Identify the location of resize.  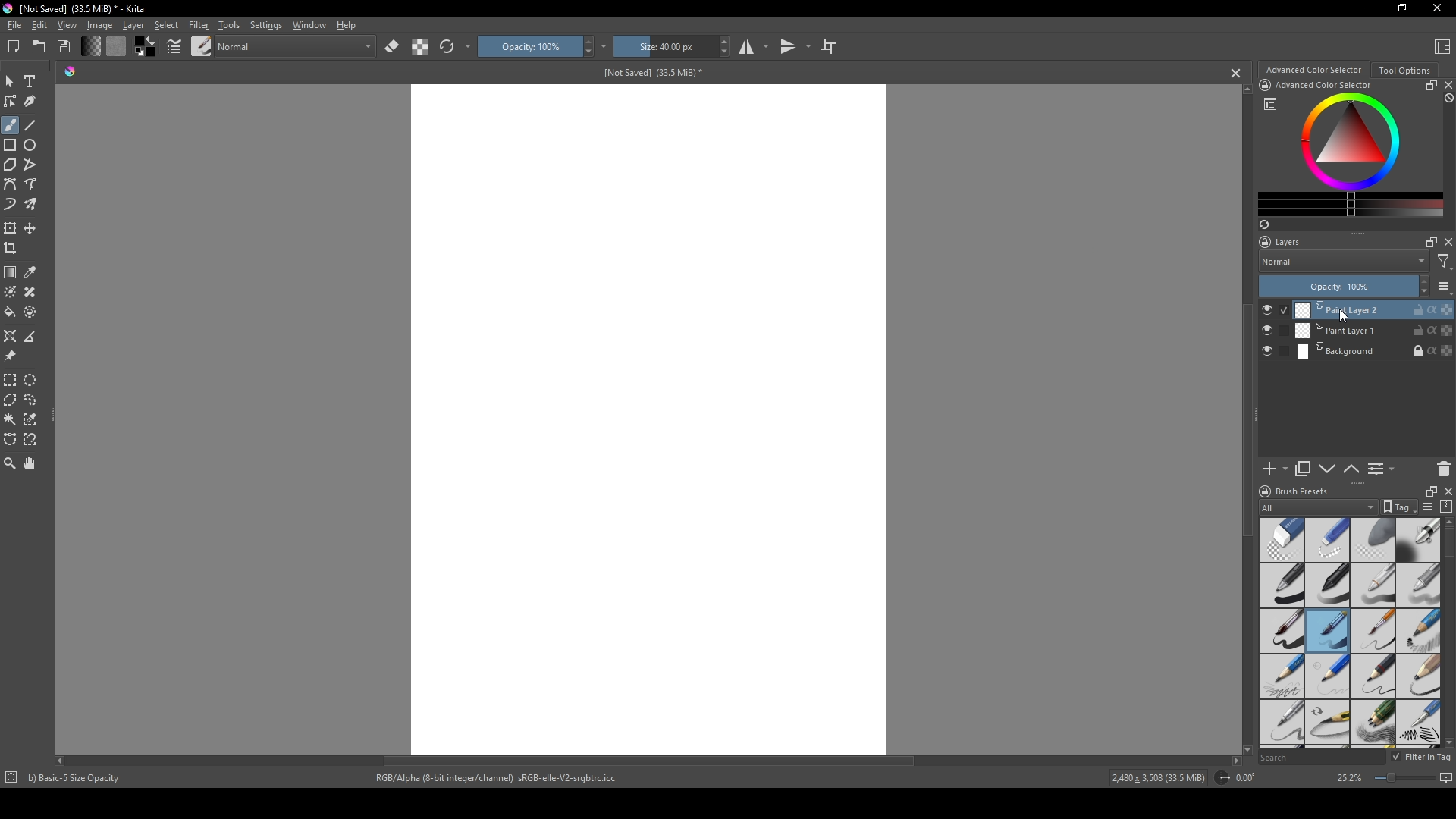
(1429, 85).